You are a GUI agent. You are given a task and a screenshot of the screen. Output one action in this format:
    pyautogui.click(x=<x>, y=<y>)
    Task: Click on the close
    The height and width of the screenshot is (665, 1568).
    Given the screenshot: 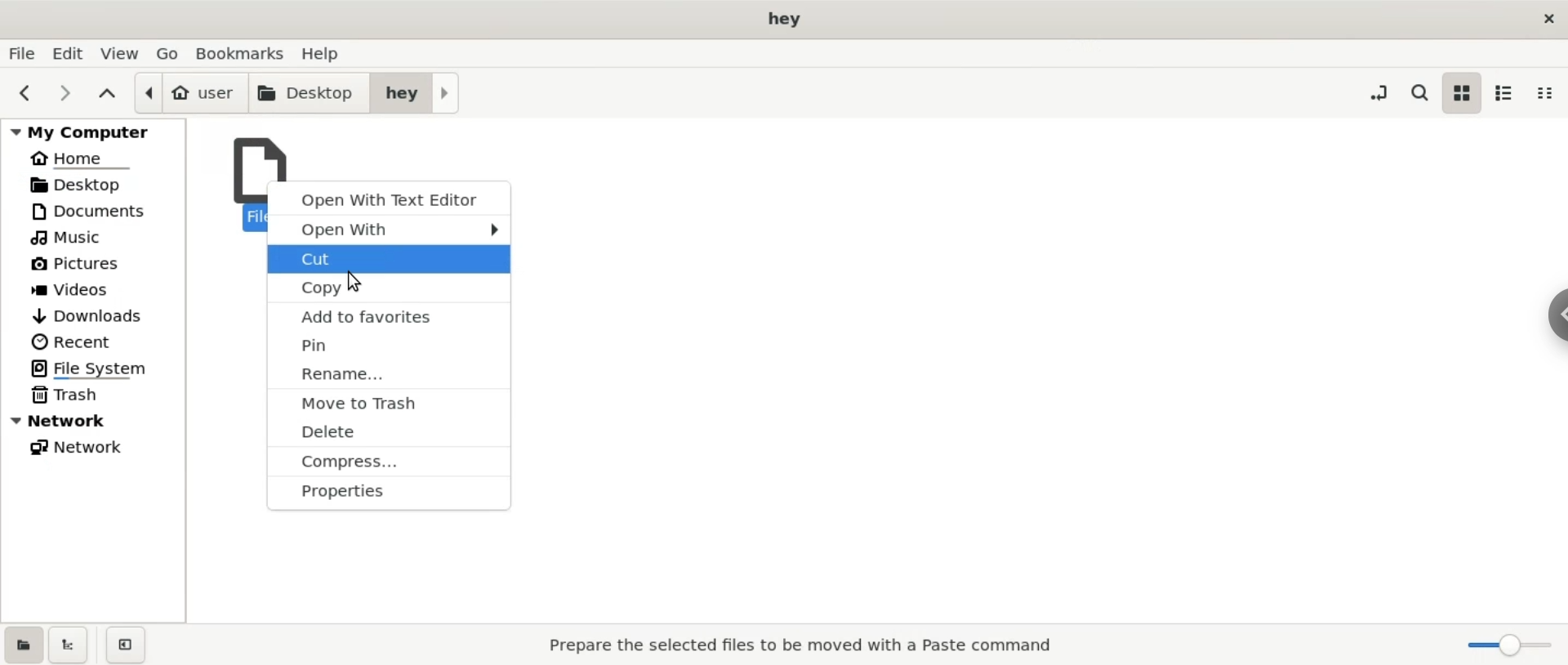 What is the action you would take?
    pyautogui.click(x=1548, y=16)
    